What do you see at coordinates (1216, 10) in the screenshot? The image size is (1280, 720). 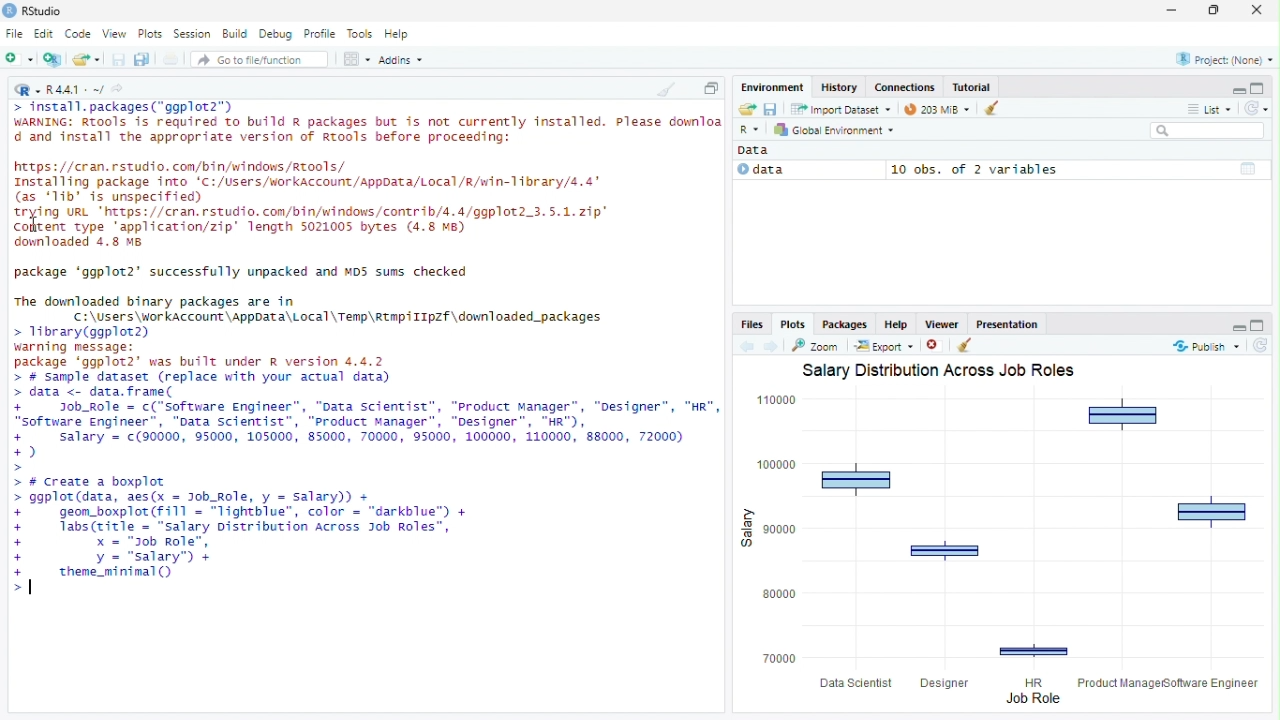 I see `Maximize` at bounding box center [1216, 10].